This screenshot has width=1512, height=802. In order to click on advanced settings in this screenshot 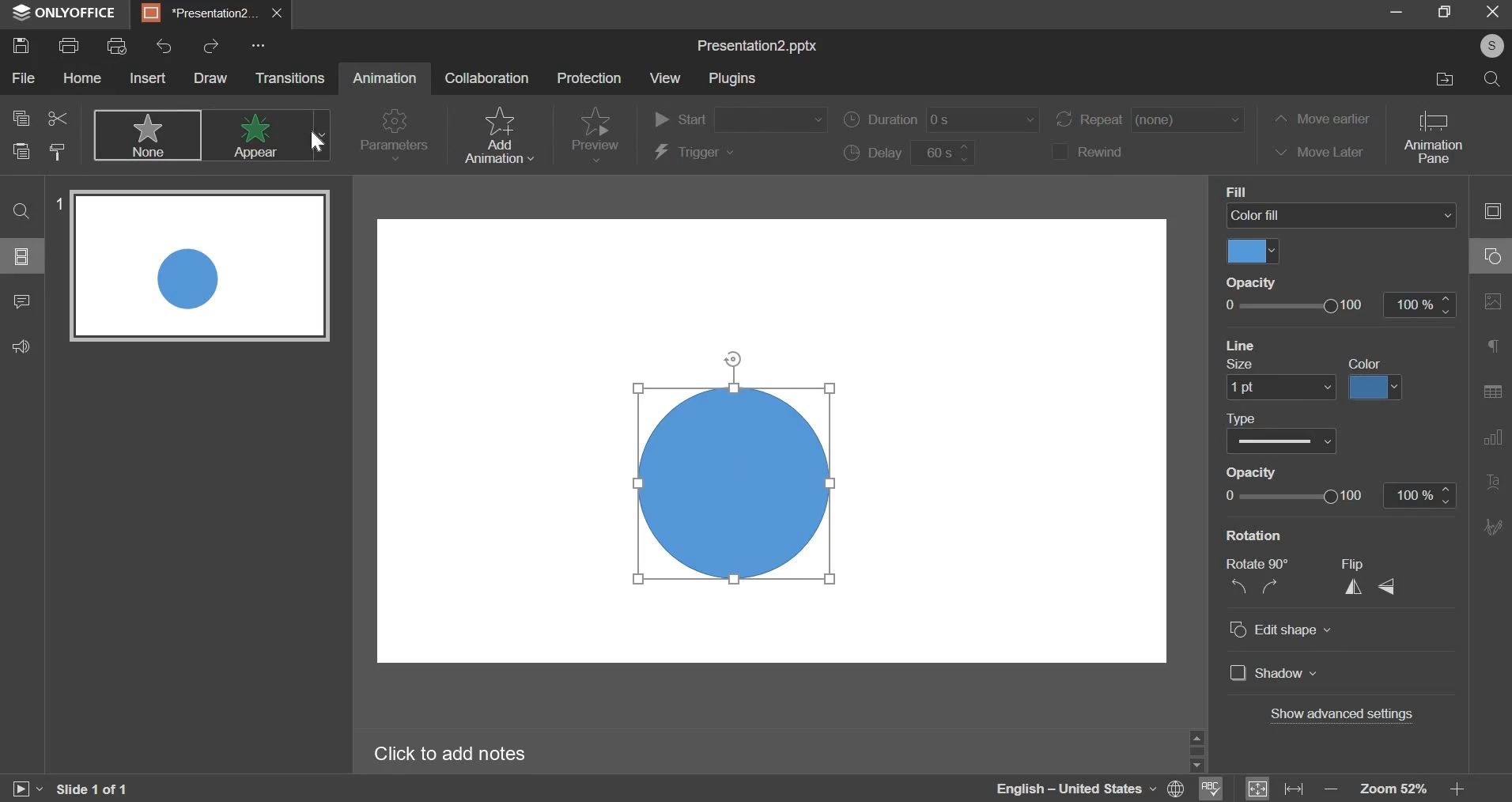, I will do `click(1342, 714)`.